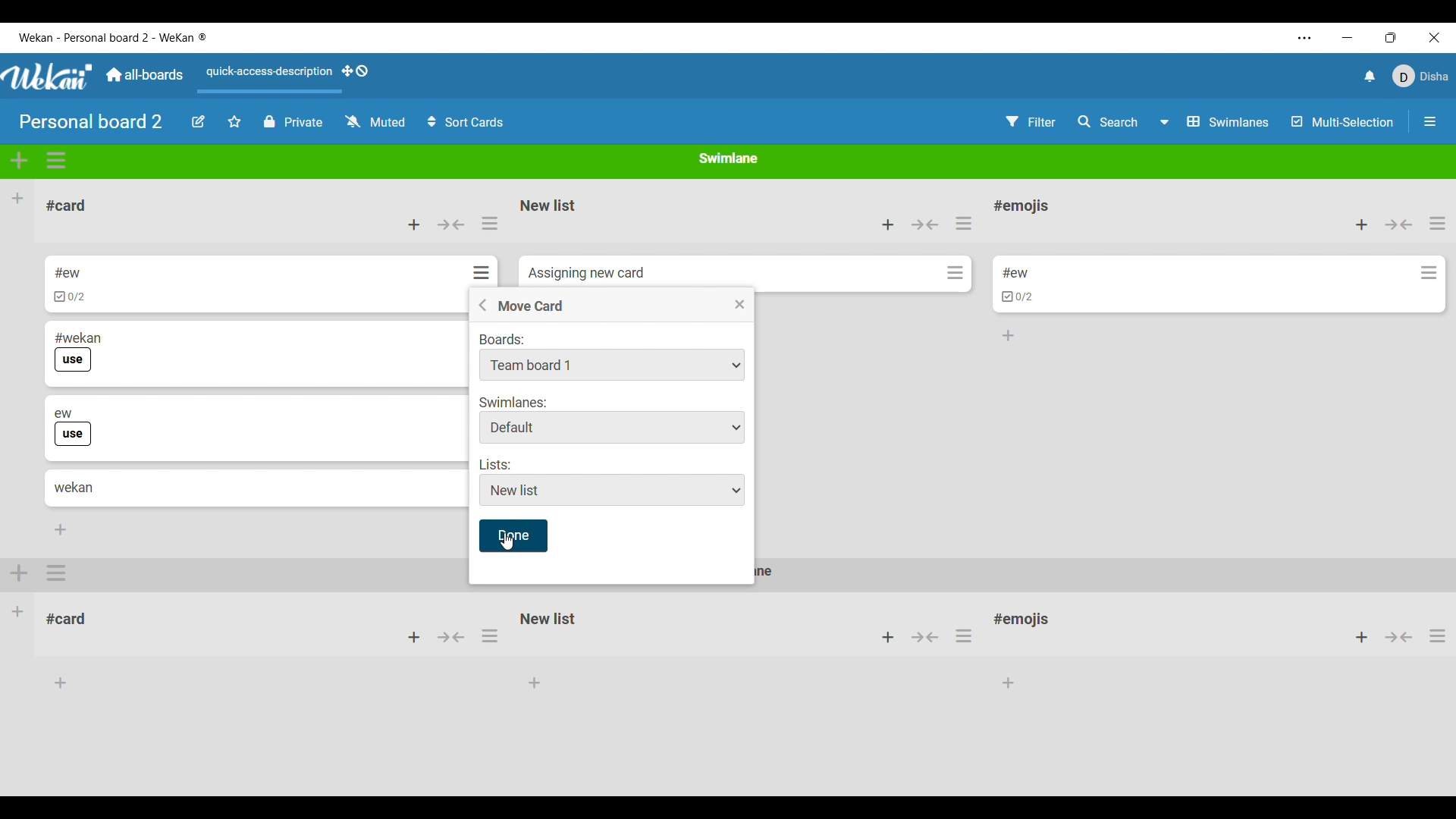 The image size is (1456, 819). Describe the element at coordinates (1362, 225) in the screenshot. I see `Add card to top of list` at that location.